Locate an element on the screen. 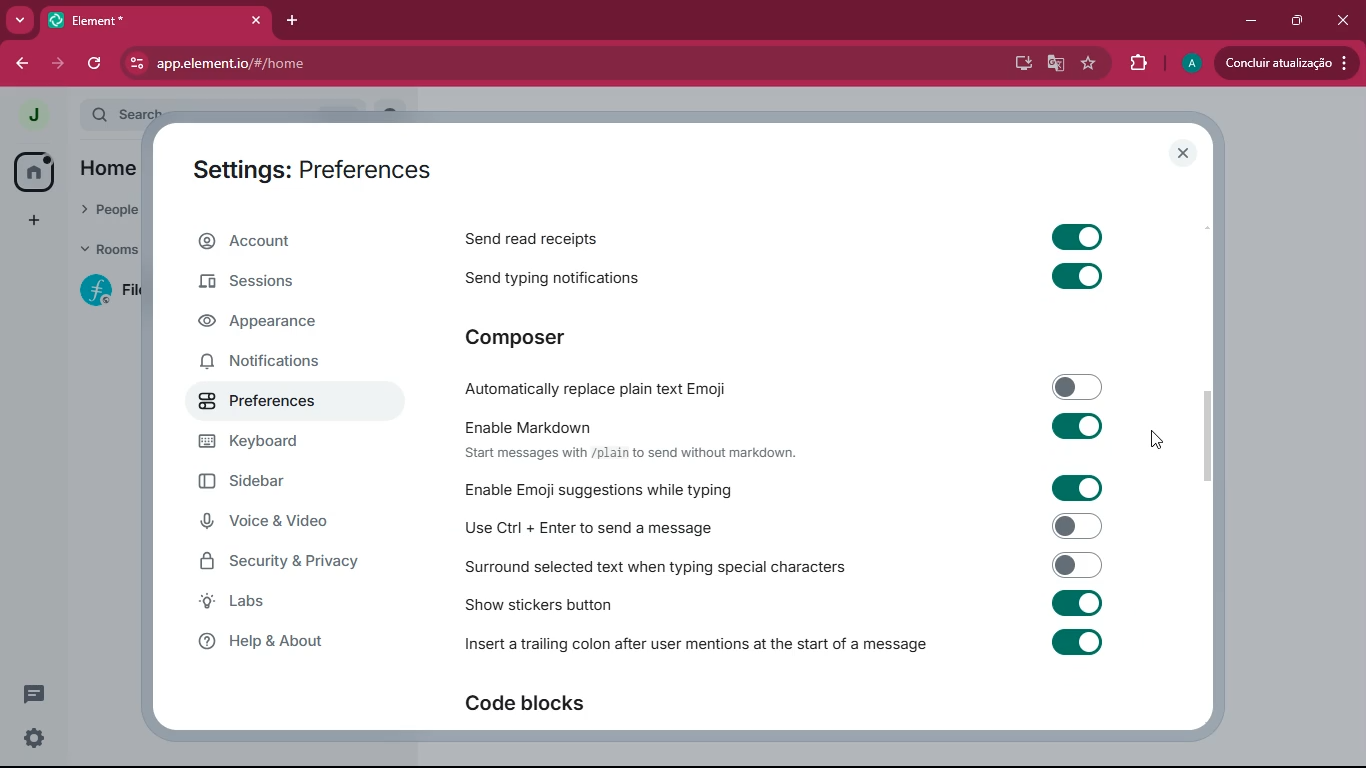  preferences is located at coordinates (274, 406).